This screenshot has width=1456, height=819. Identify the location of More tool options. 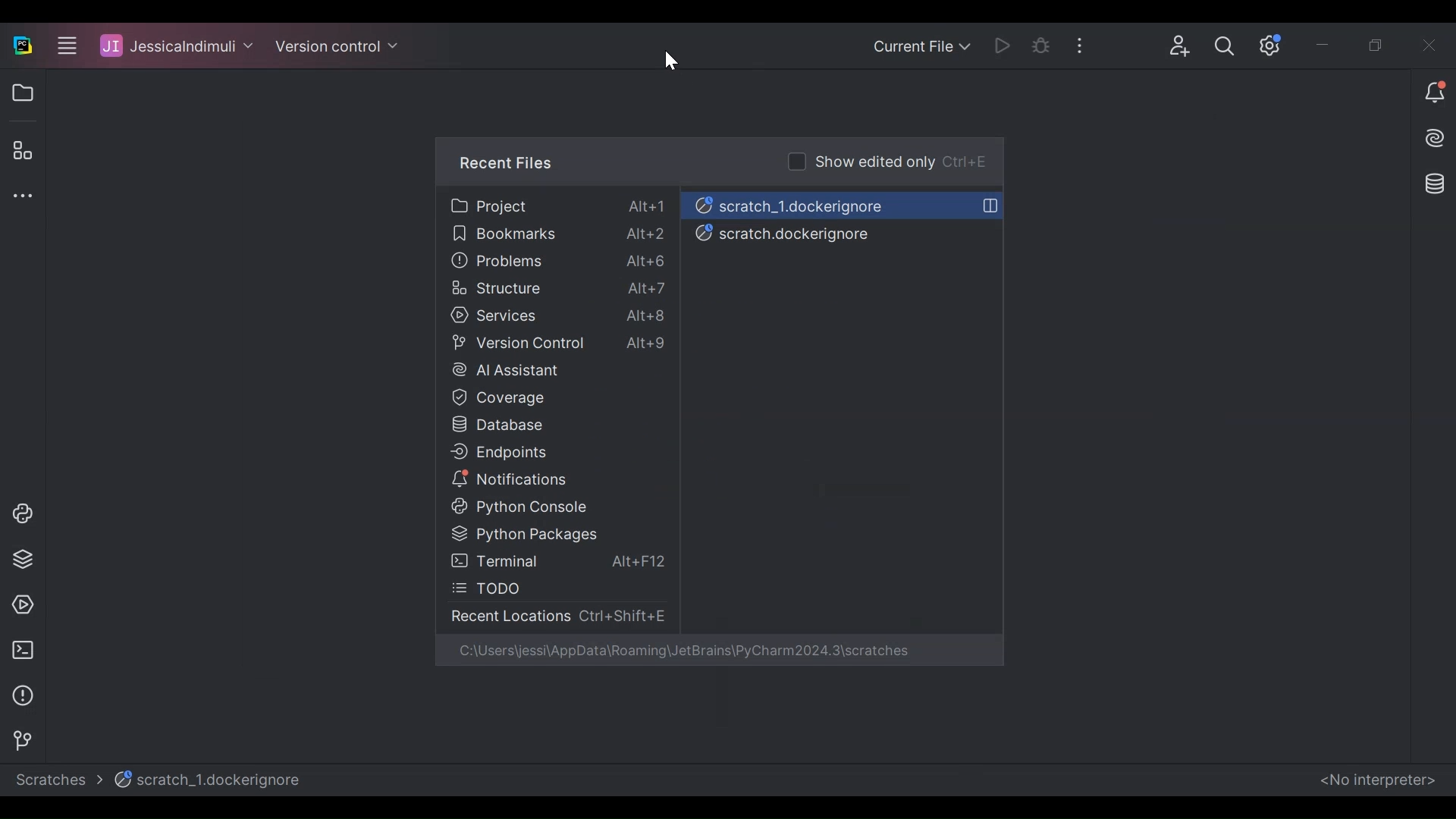
(21, 193).